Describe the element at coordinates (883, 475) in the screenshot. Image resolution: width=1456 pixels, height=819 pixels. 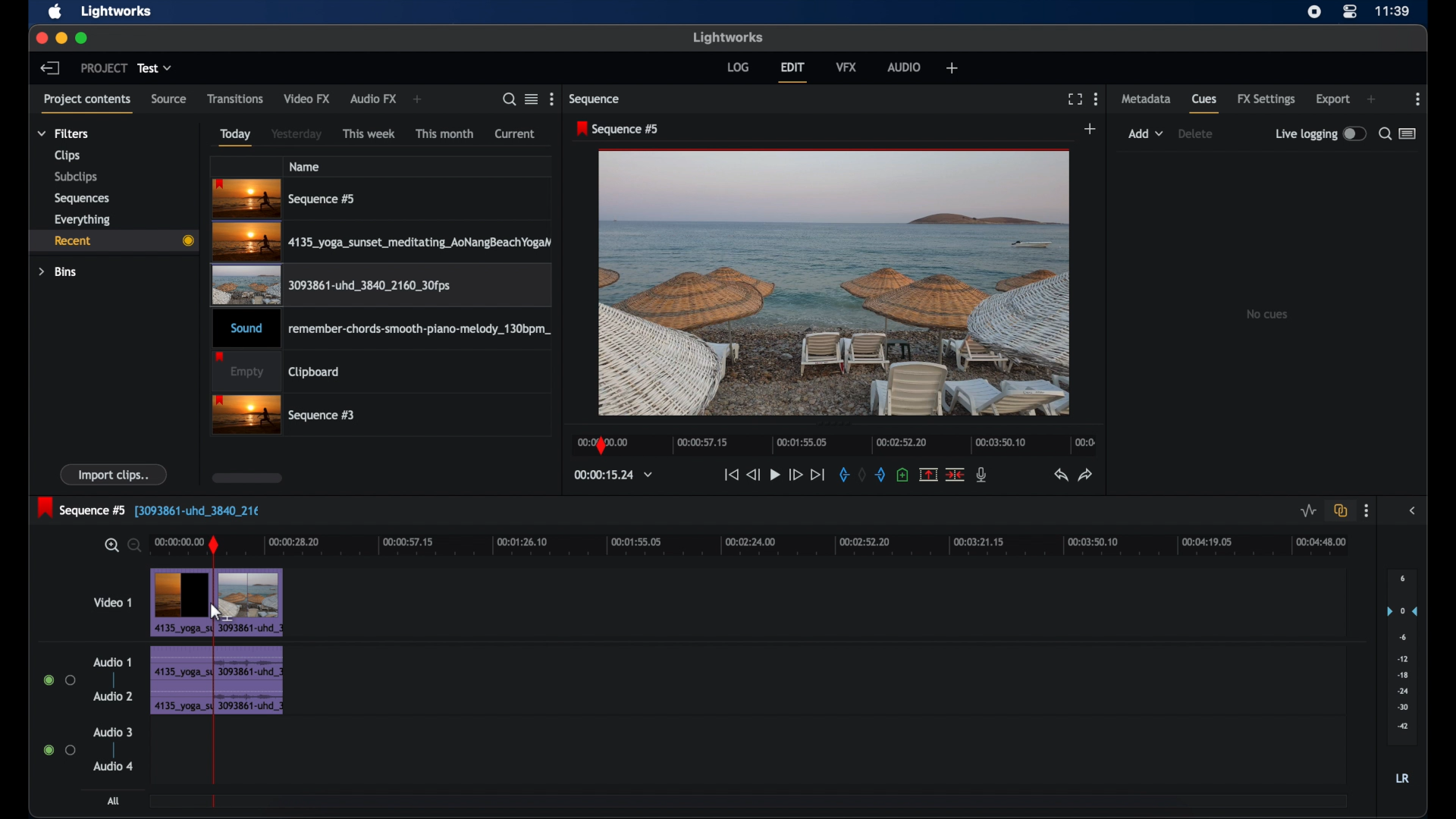
I see `out mark` at that location.